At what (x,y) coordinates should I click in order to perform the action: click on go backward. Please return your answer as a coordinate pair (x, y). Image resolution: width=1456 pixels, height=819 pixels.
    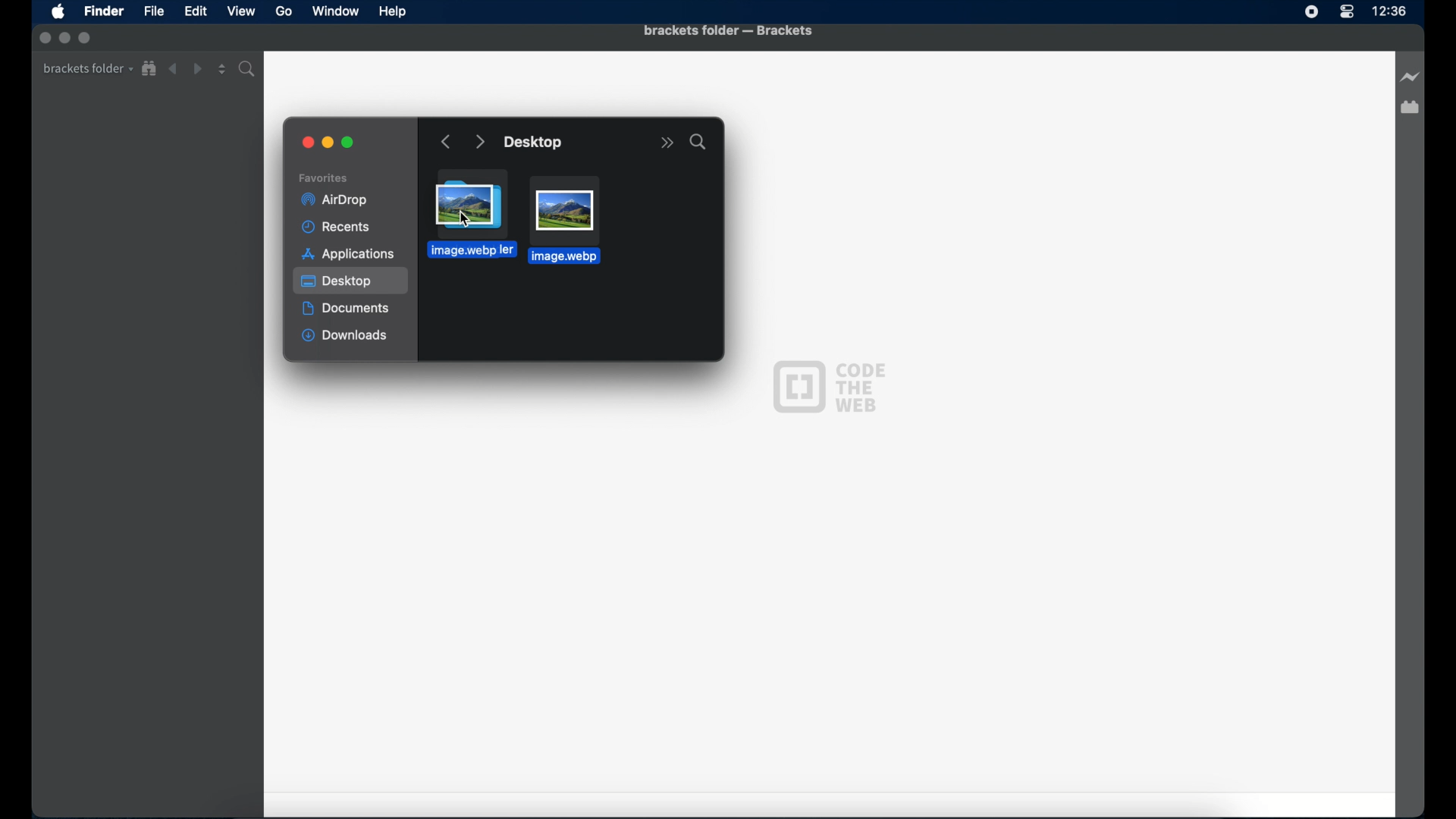
    Looking at the image, I should click on (447, 143).